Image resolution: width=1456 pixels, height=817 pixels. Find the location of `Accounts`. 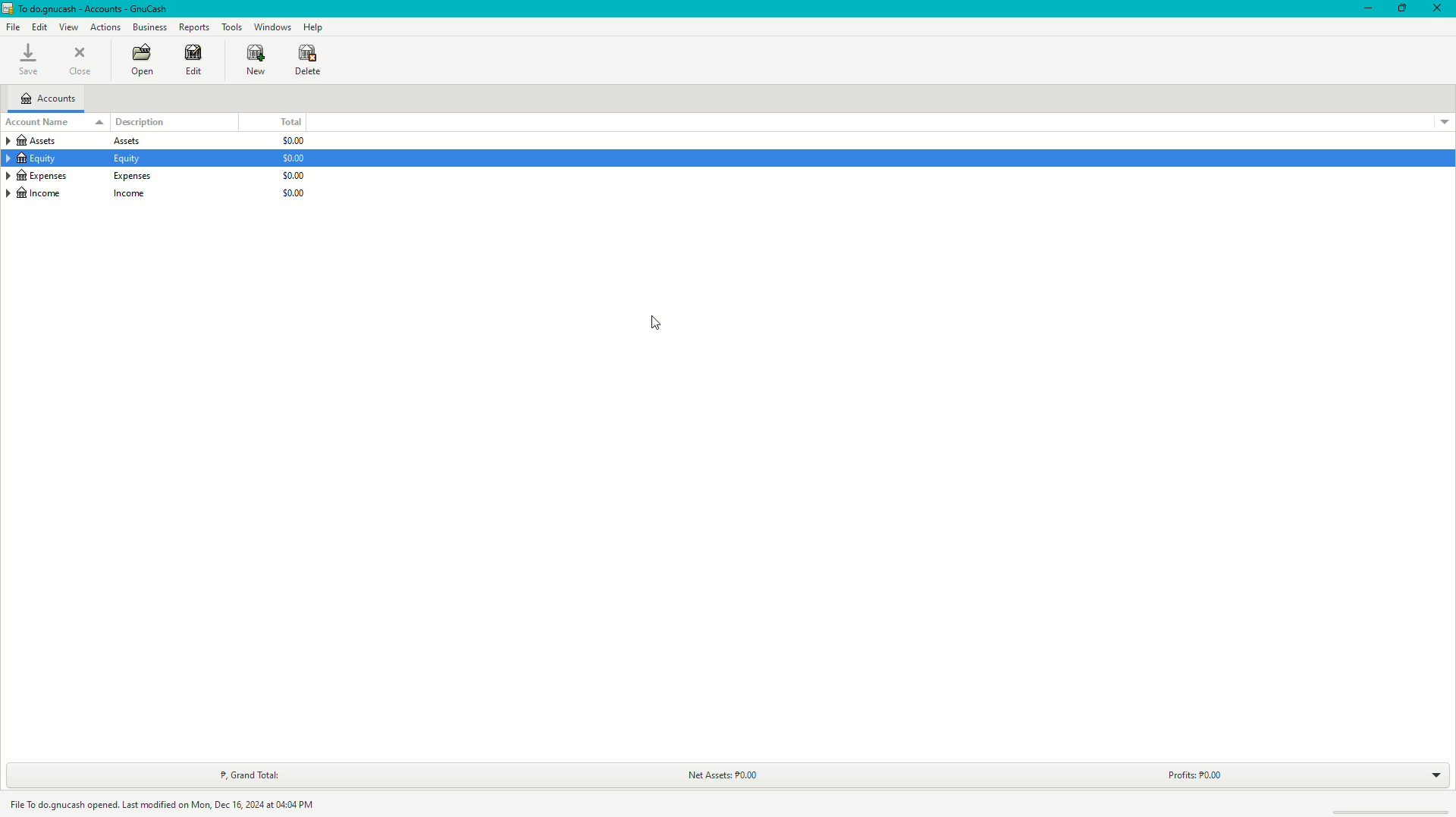

Accounts is located at coordinates (49, 100).